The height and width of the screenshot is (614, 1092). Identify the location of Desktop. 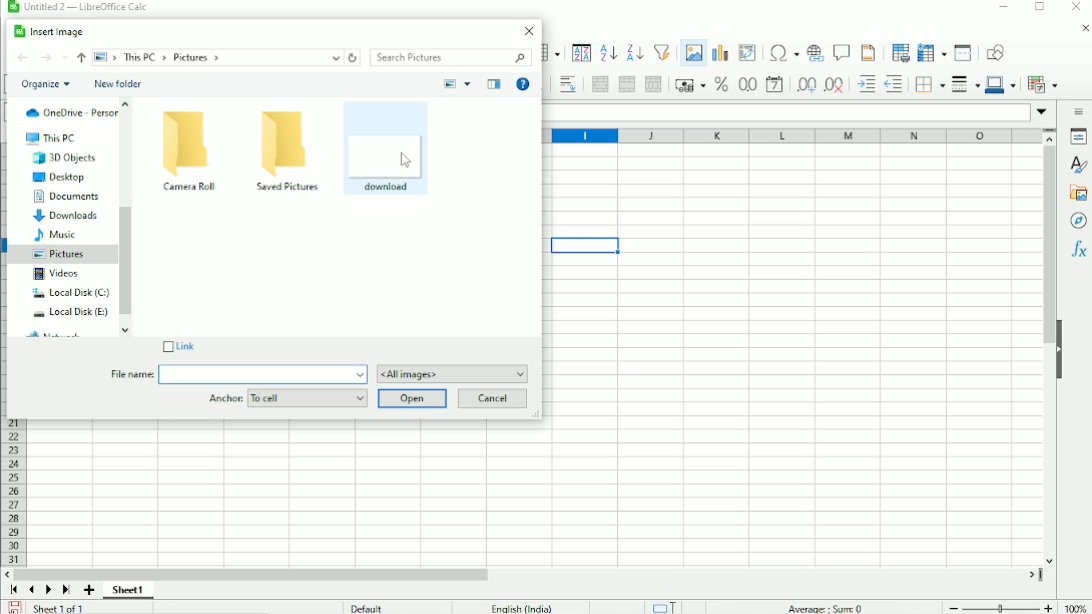
(58, 178).